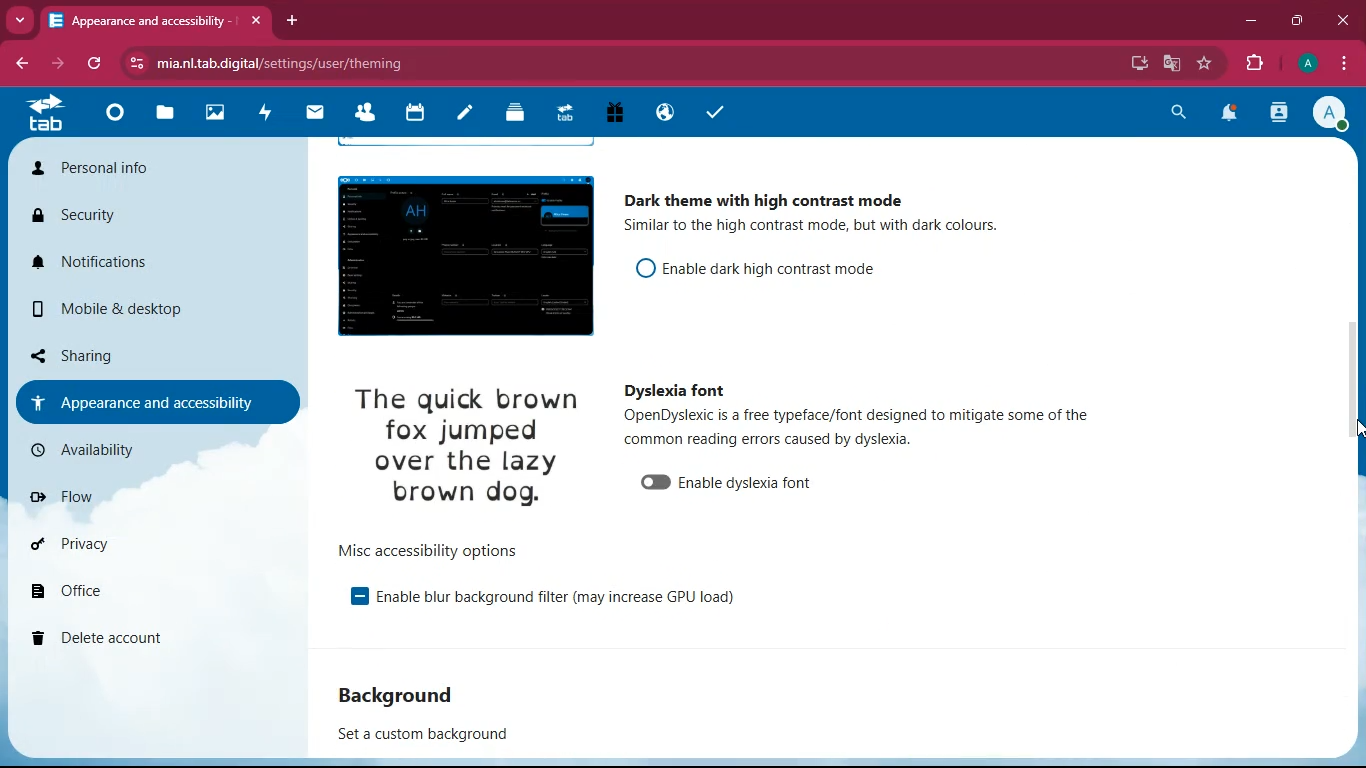 This screenshot has height=768, width=1366. What do you see at coordinates (1333, 114) in the screenshot?
I see `profile` at bounding box center [1333, 114].